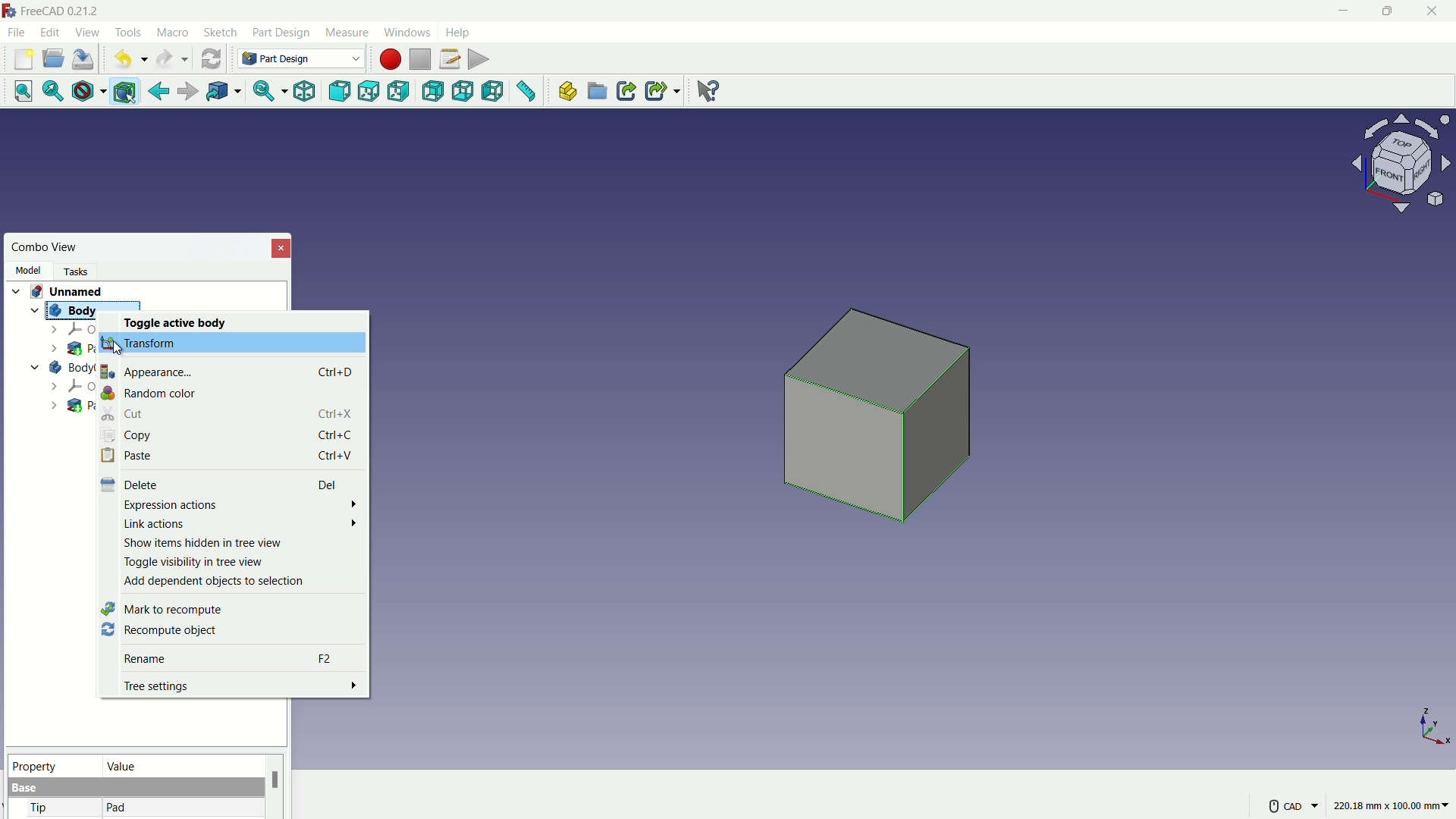 This screenshot has height=819, width=1456. What do you see at coordinates (1385, 11) in the screenshot?
I see `maximize or restore` at bounding box center [1385, 11].